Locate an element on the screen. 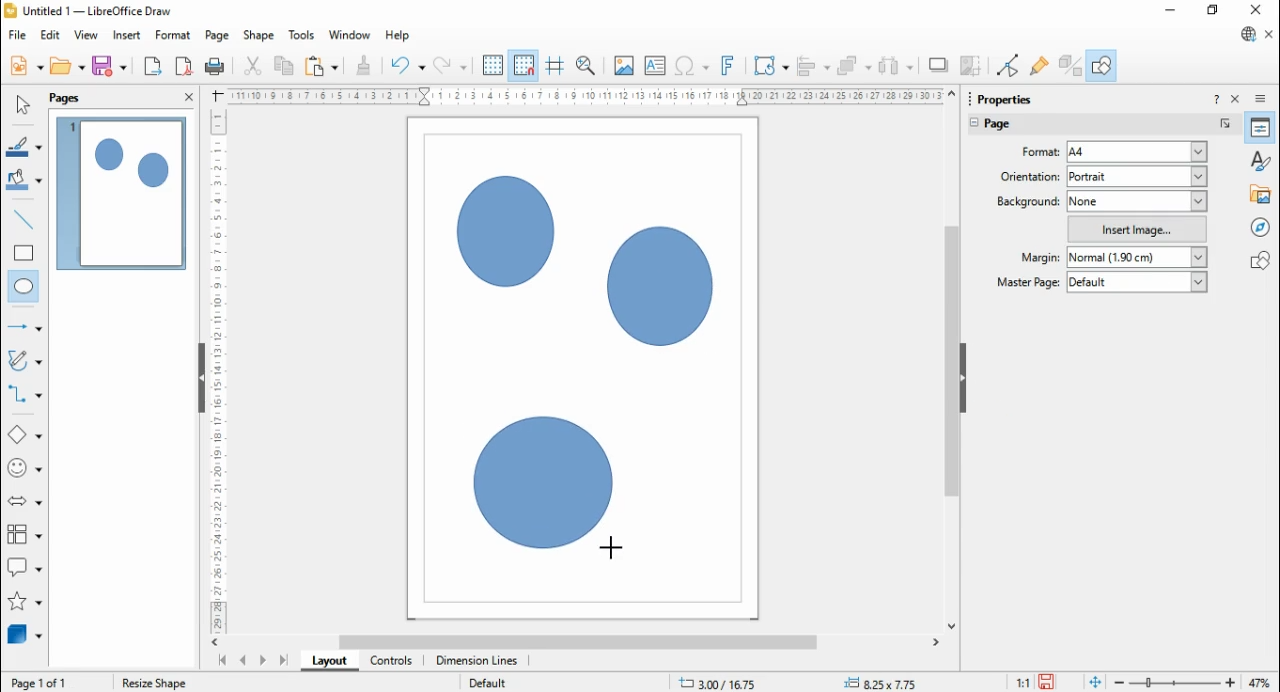  gallery is located at coordinates (1263, 193).